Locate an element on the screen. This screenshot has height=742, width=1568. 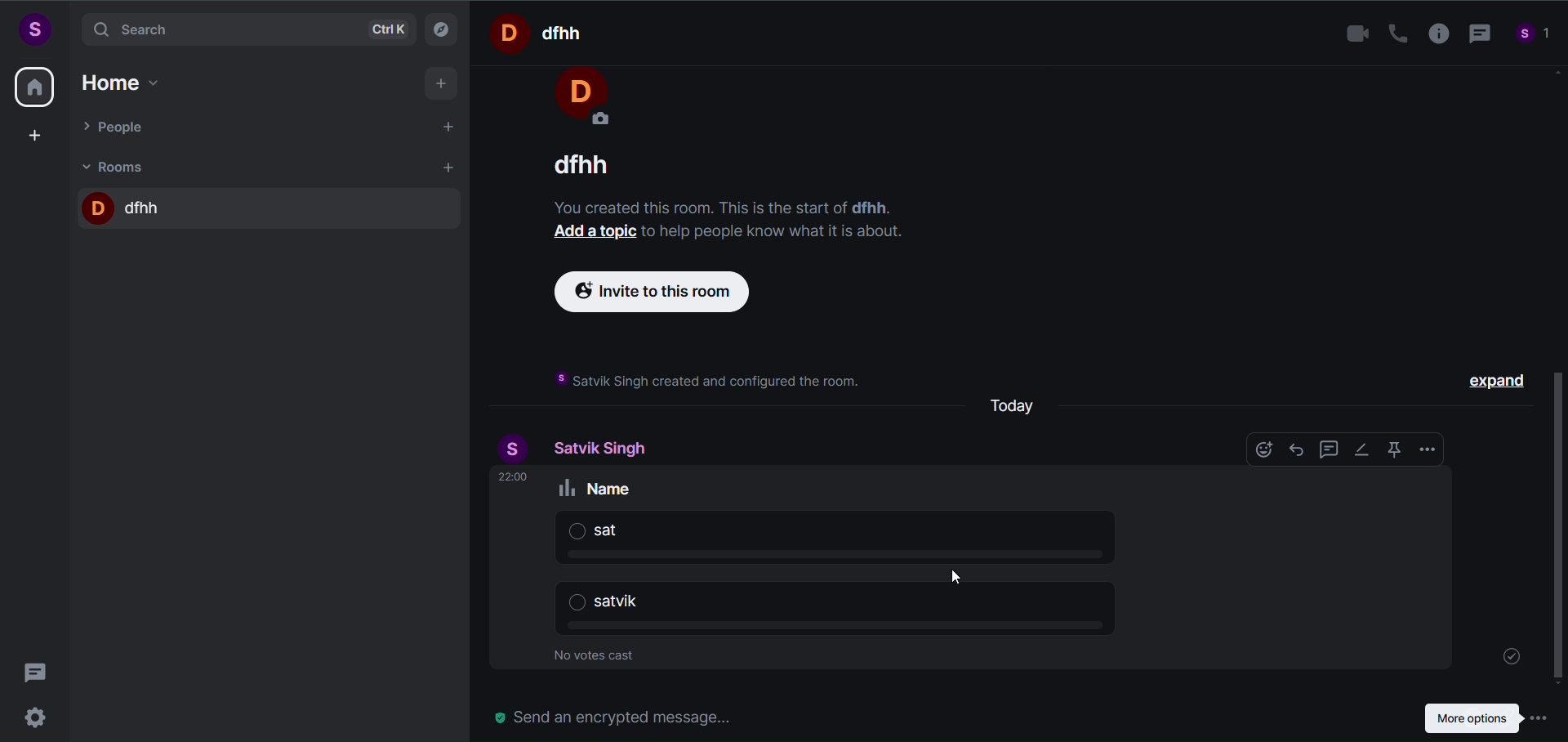
room info is located at coordinates (1433, 34).